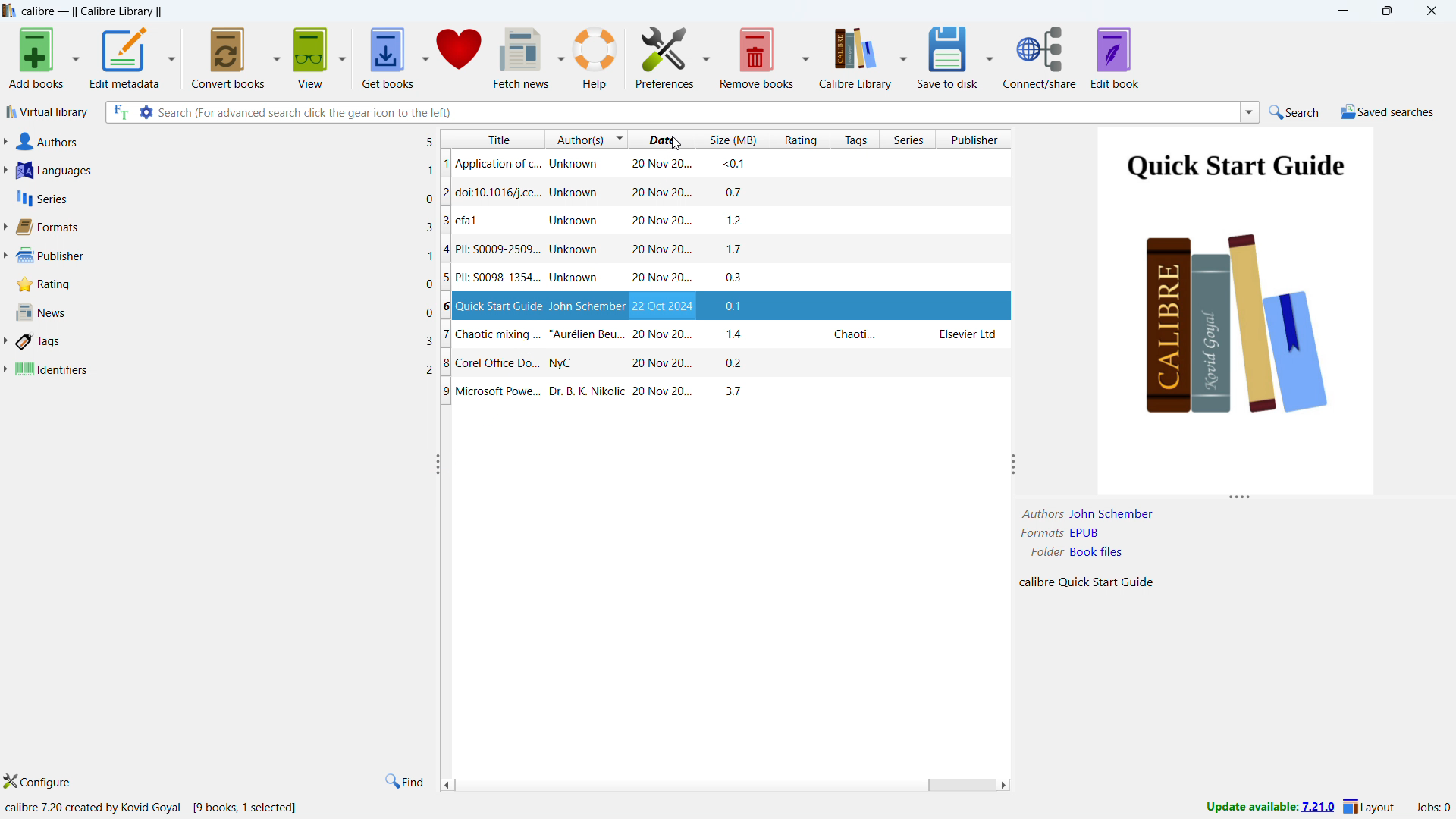 This screenshot has height=819, width=1456. Describe the element at coordinates (661, 251) in the screenshot. I see `20 Nov 20..` at that location.